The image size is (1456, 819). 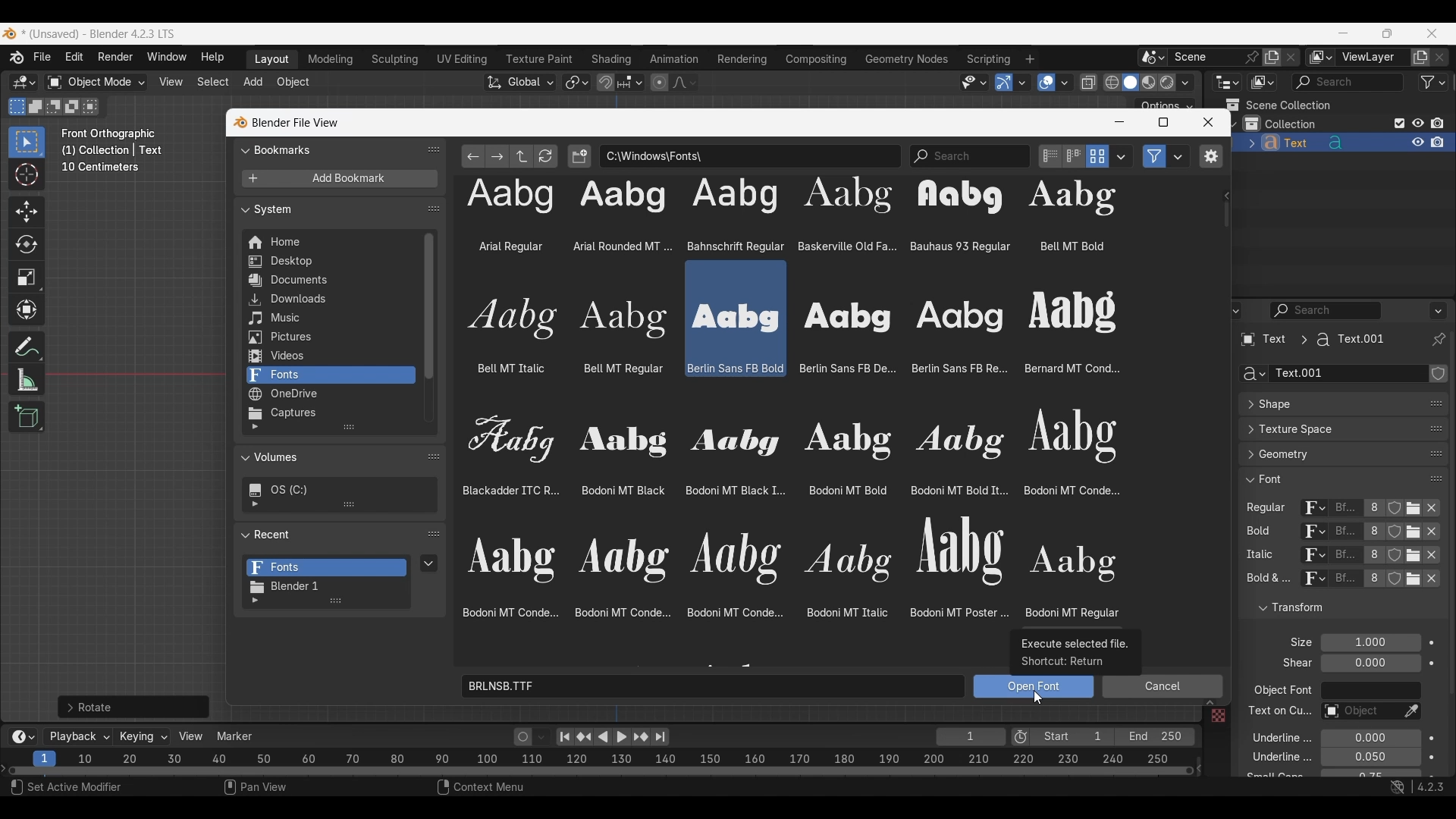 I want to click on Animation workspace, so click(x=674, y=60).